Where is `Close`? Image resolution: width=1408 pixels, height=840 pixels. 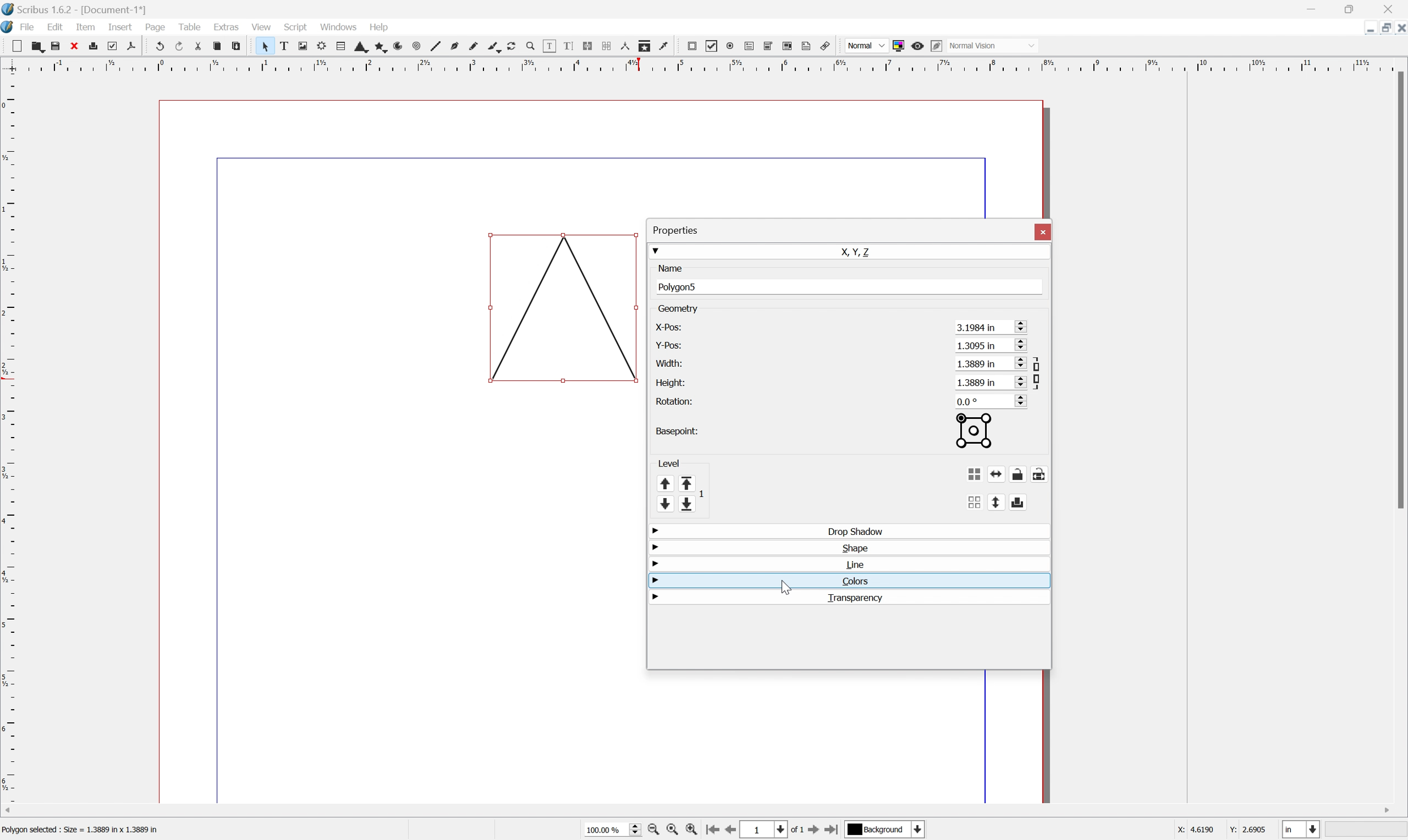 Close is located at coordinates (1043, 231).